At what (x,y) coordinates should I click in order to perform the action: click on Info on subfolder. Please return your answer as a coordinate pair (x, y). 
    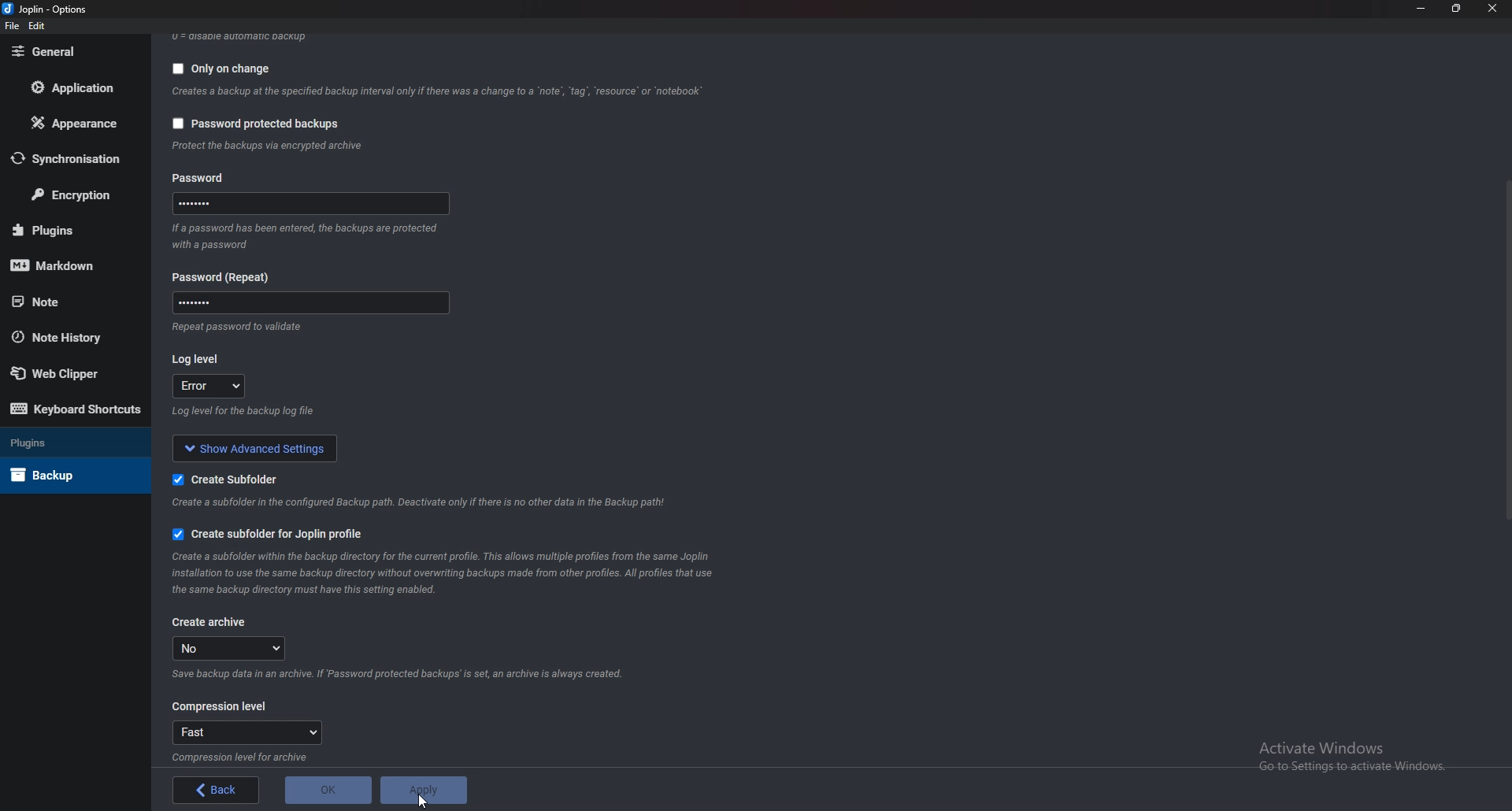
    Looking at the image, I should click on (418, 504).